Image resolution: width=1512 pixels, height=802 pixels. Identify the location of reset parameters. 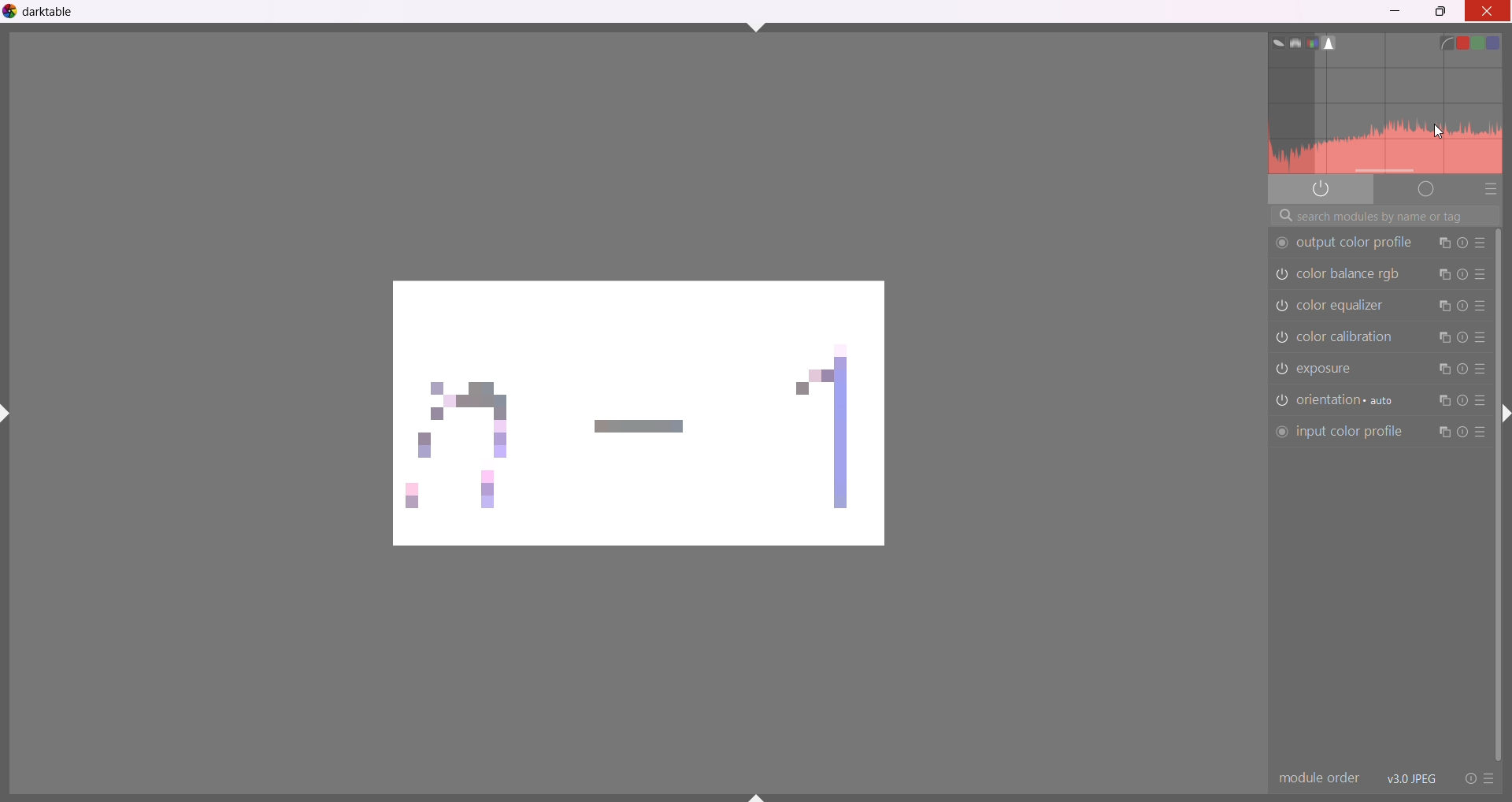
(1462, 369).